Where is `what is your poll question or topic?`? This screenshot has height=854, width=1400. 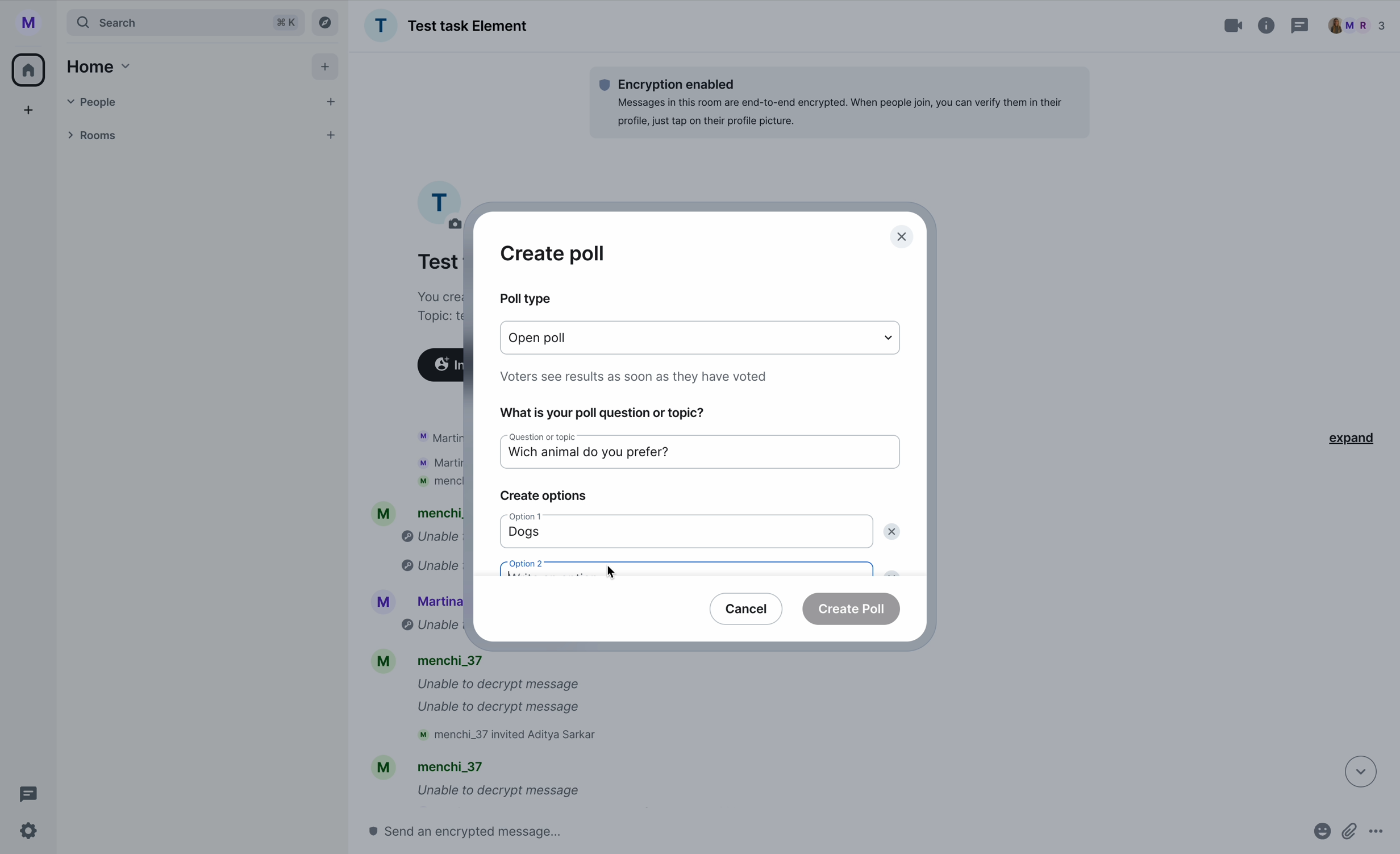
what is your poll question or topic? is located at coordinates (608, 410).